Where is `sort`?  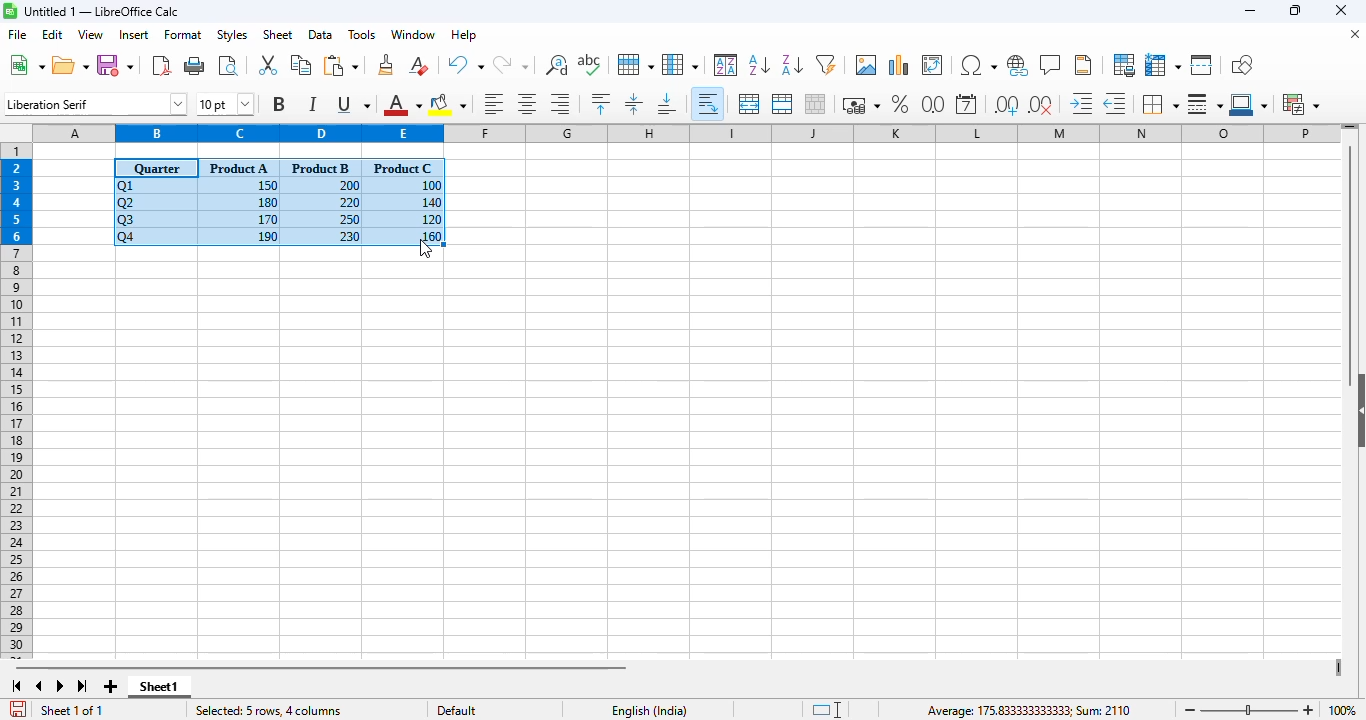 sort is located at coordinates (726, 65).